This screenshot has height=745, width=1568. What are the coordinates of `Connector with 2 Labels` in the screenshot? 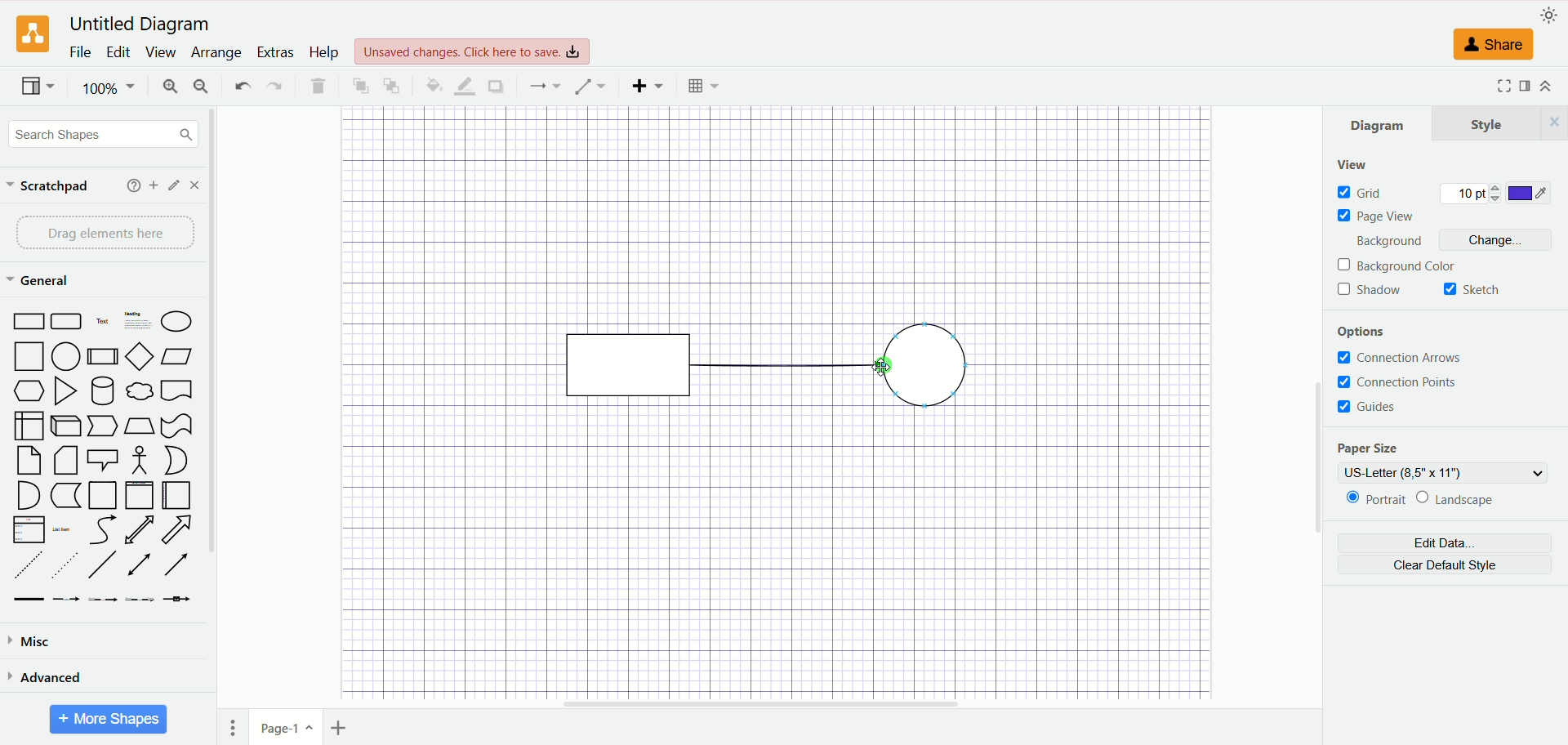 It's located at (104, 603).